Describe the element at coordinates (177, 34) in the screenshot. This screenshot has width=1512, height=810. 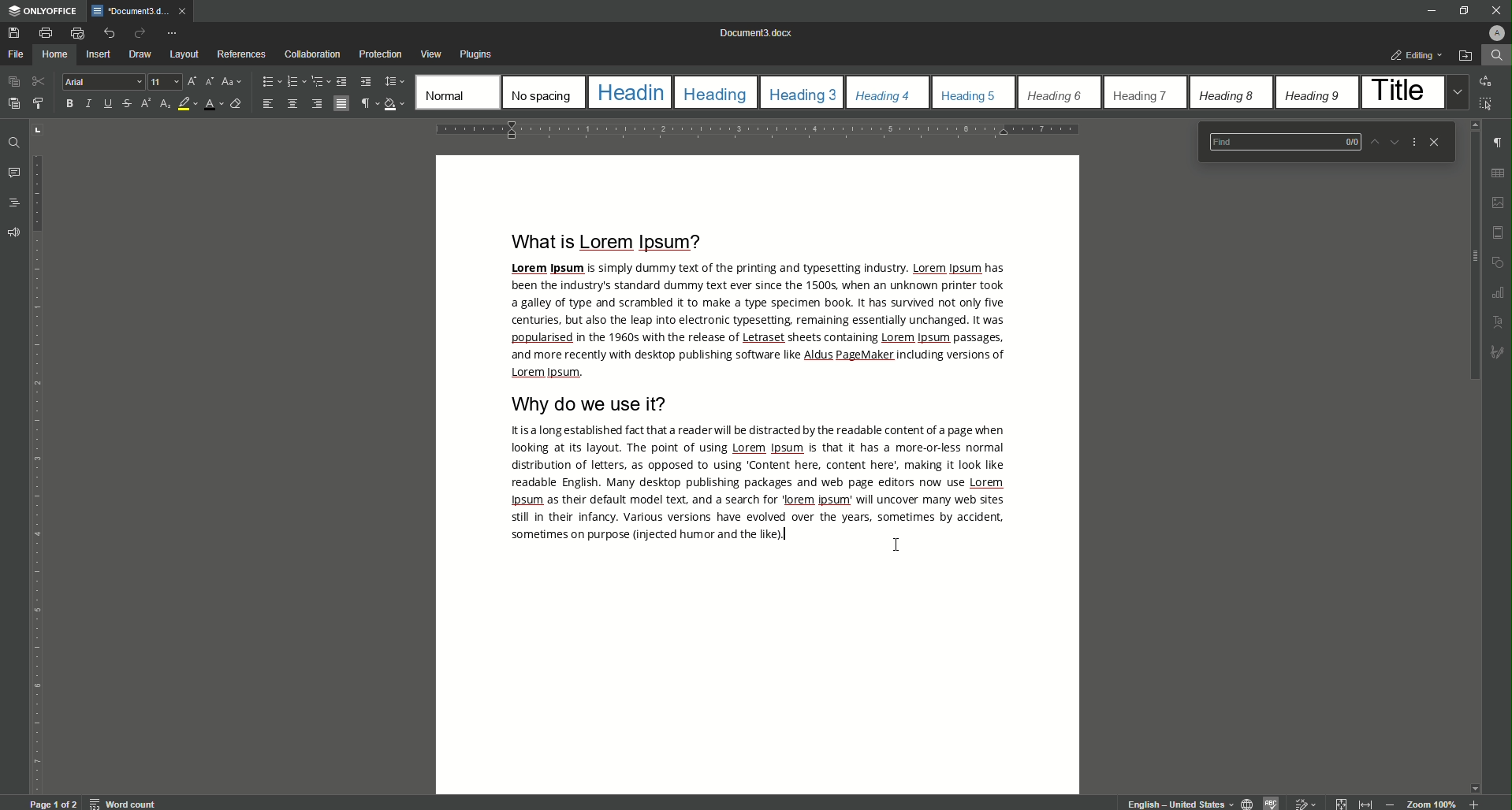
I see `Customize` at that location.